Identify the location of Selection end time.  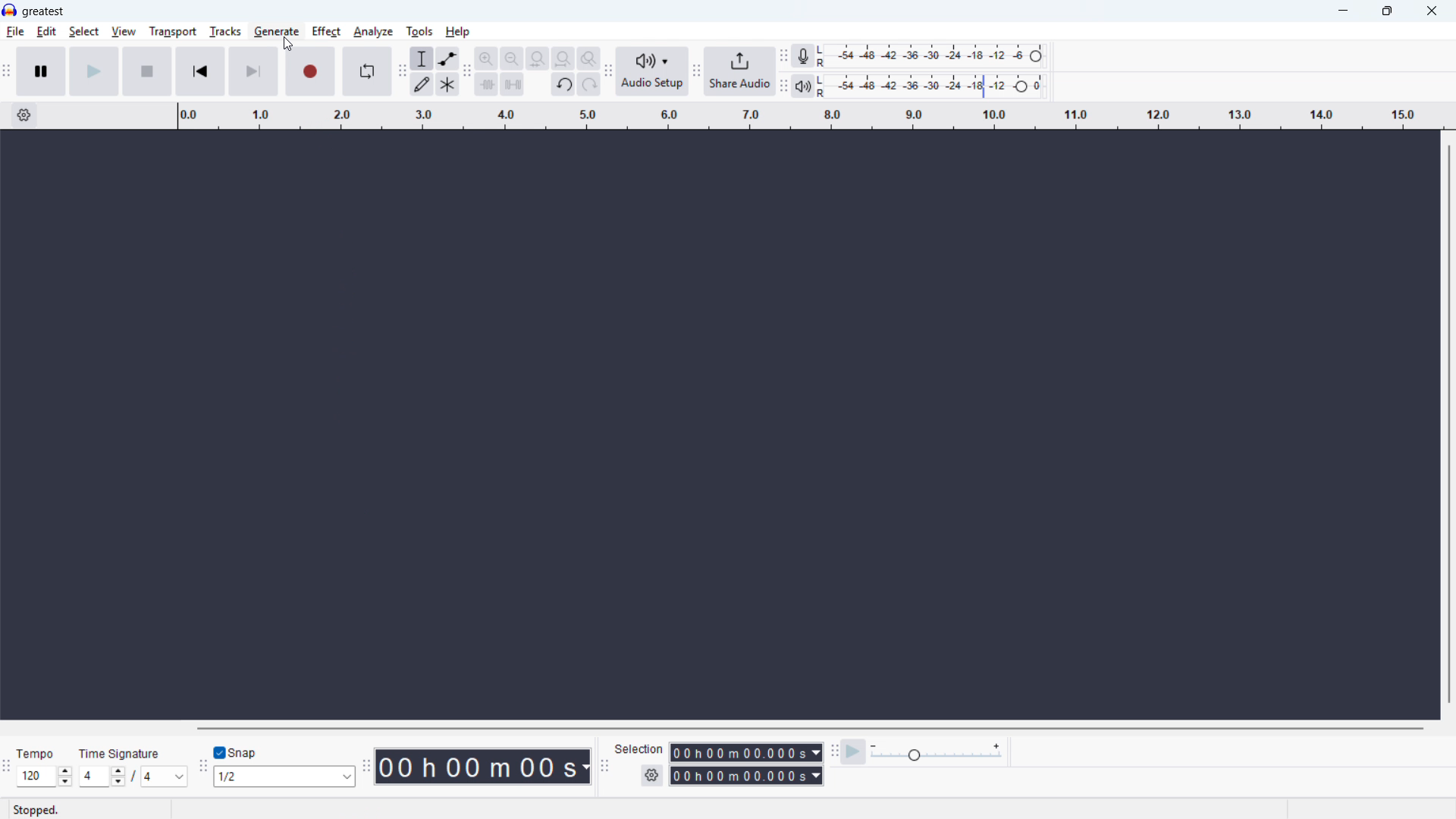
(745, 774).